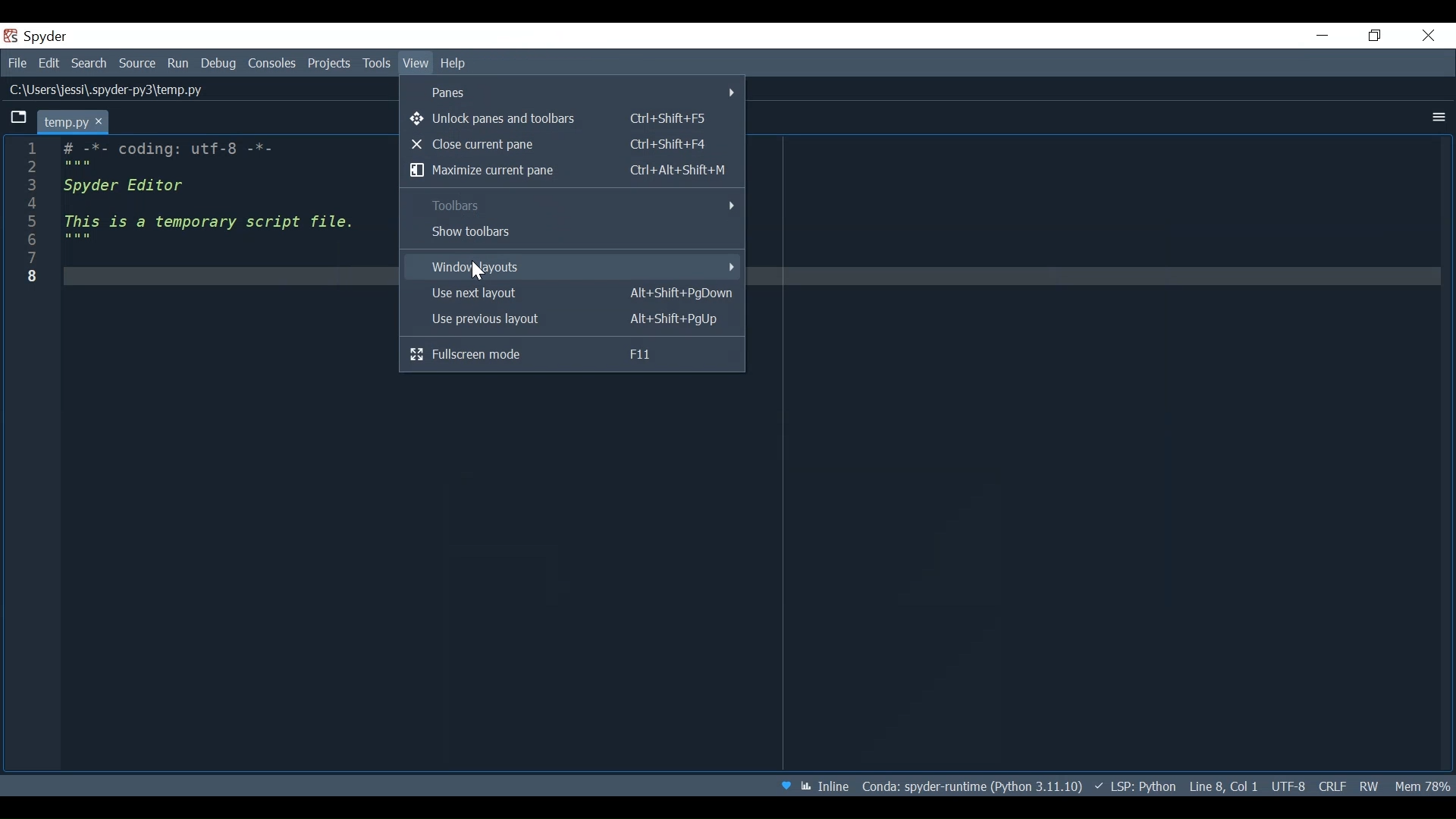 This screenshot has width=1456, height=819. I want to click on Source, so click(136, 63).